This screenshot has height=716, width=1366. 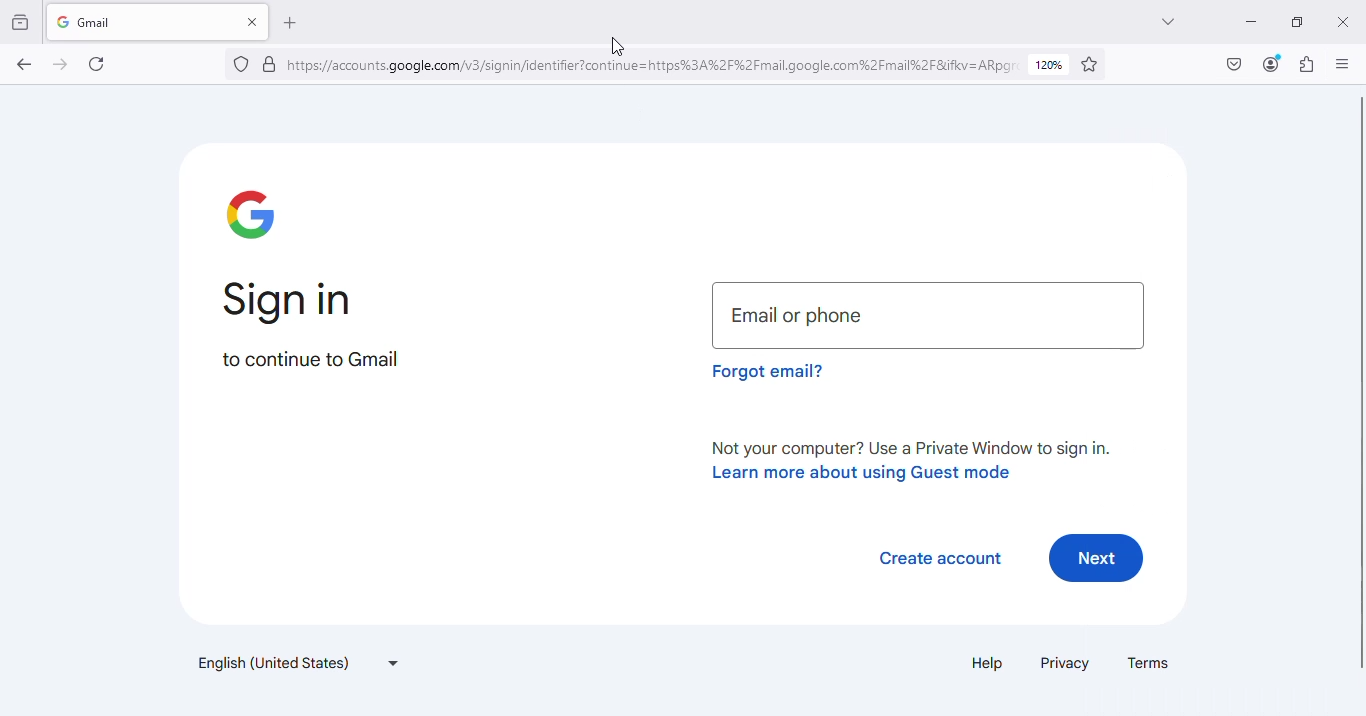 What do you see at coordinates (653, 64) in the screenshot?
I see `link` at bounding box center [653, 64].